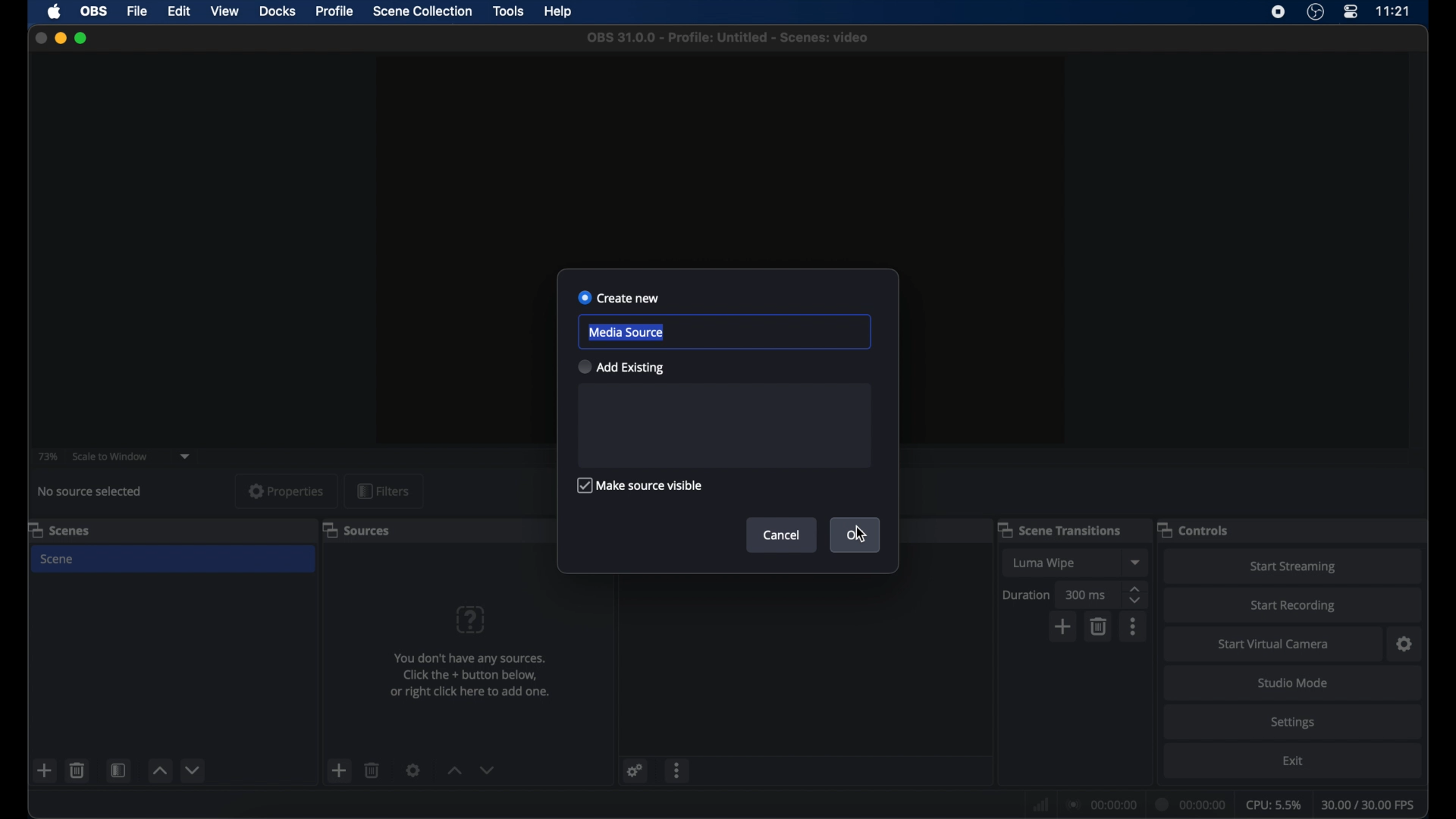 Image resolution: width=1456 pixels, height=819 pixels. I want to click on create new, so click(620, 297).